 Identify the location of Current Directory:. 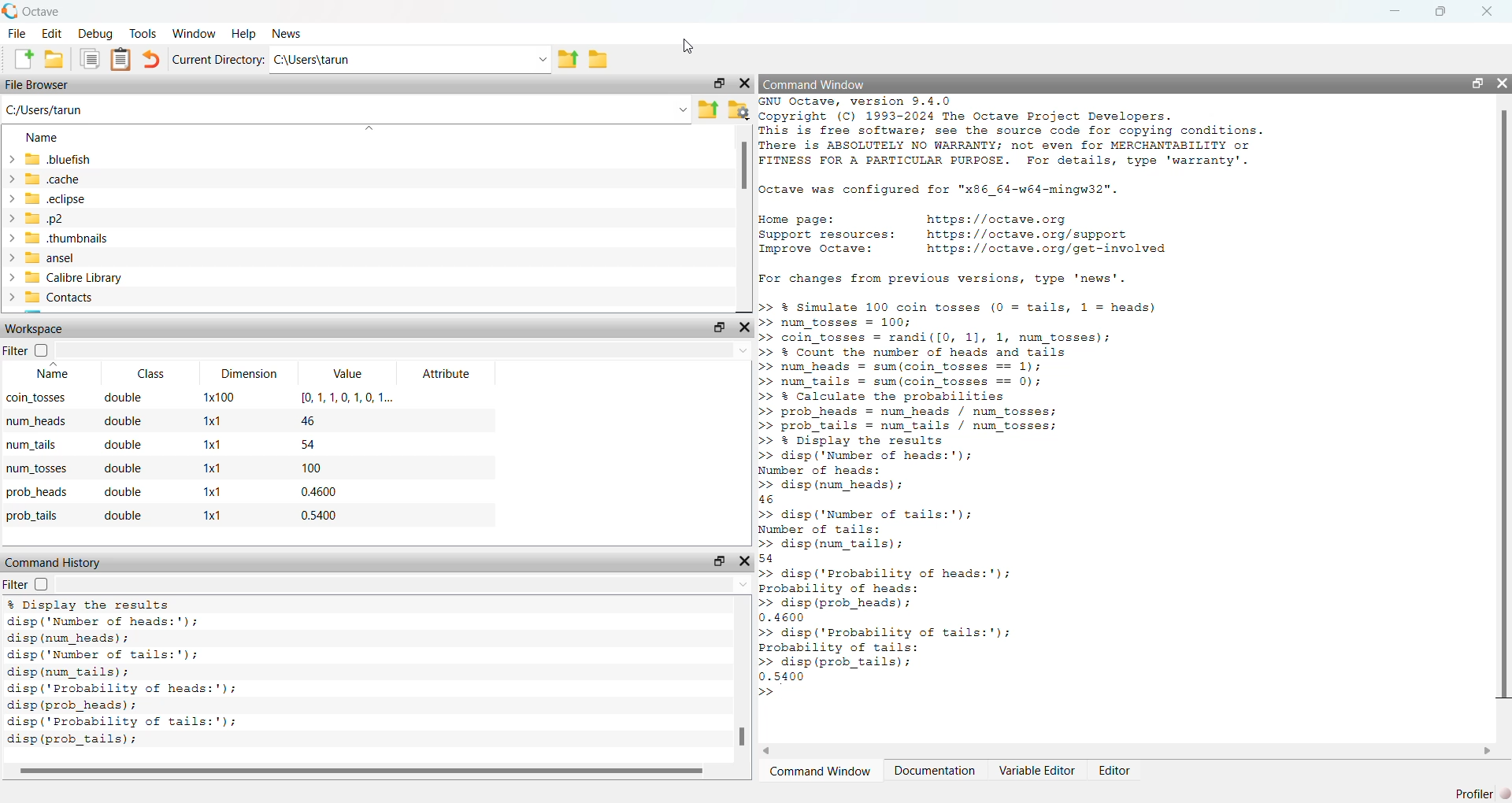
(217, 60).